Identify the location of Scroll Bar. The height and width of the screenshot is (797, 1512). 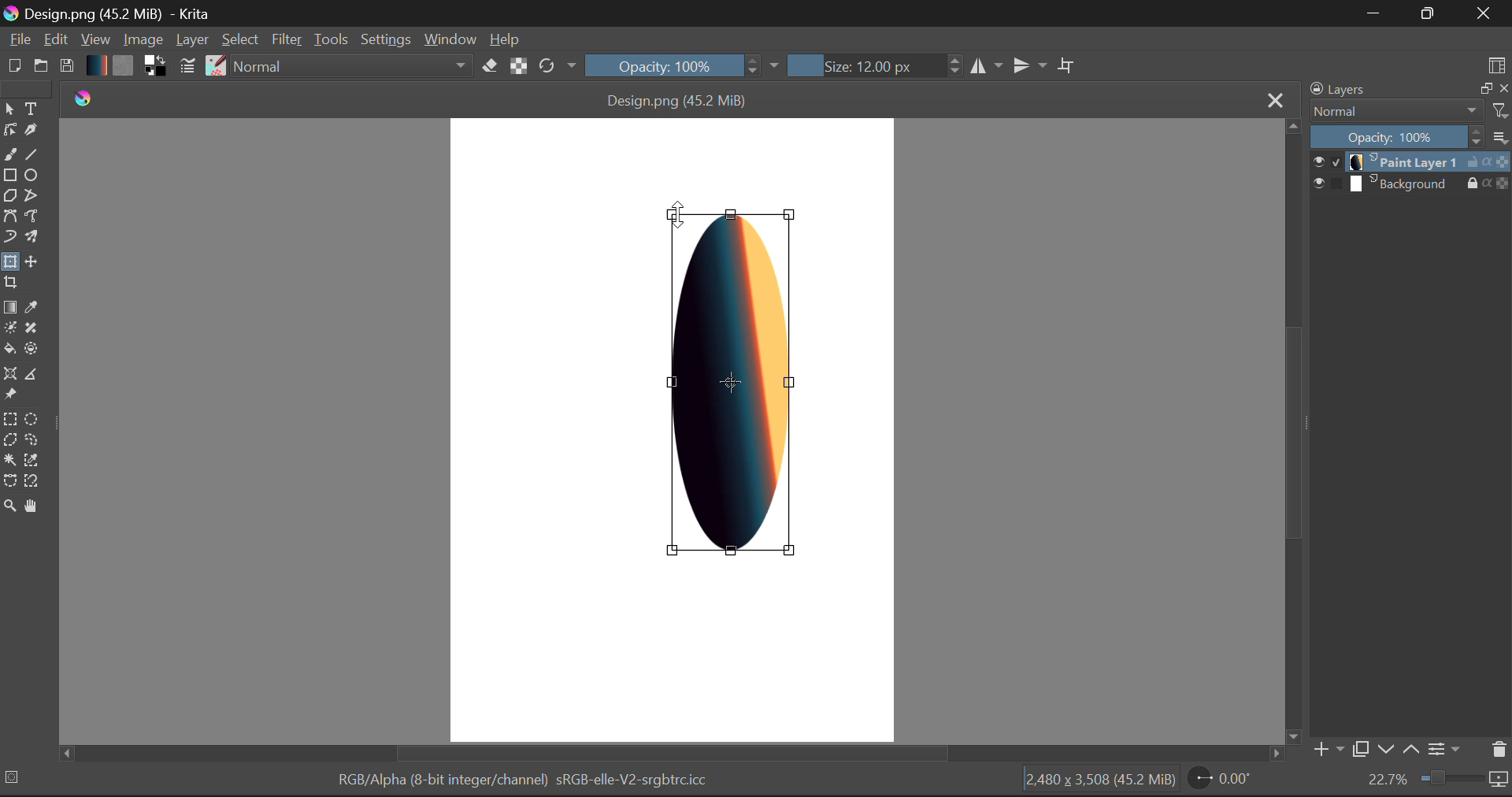
(675, 754).